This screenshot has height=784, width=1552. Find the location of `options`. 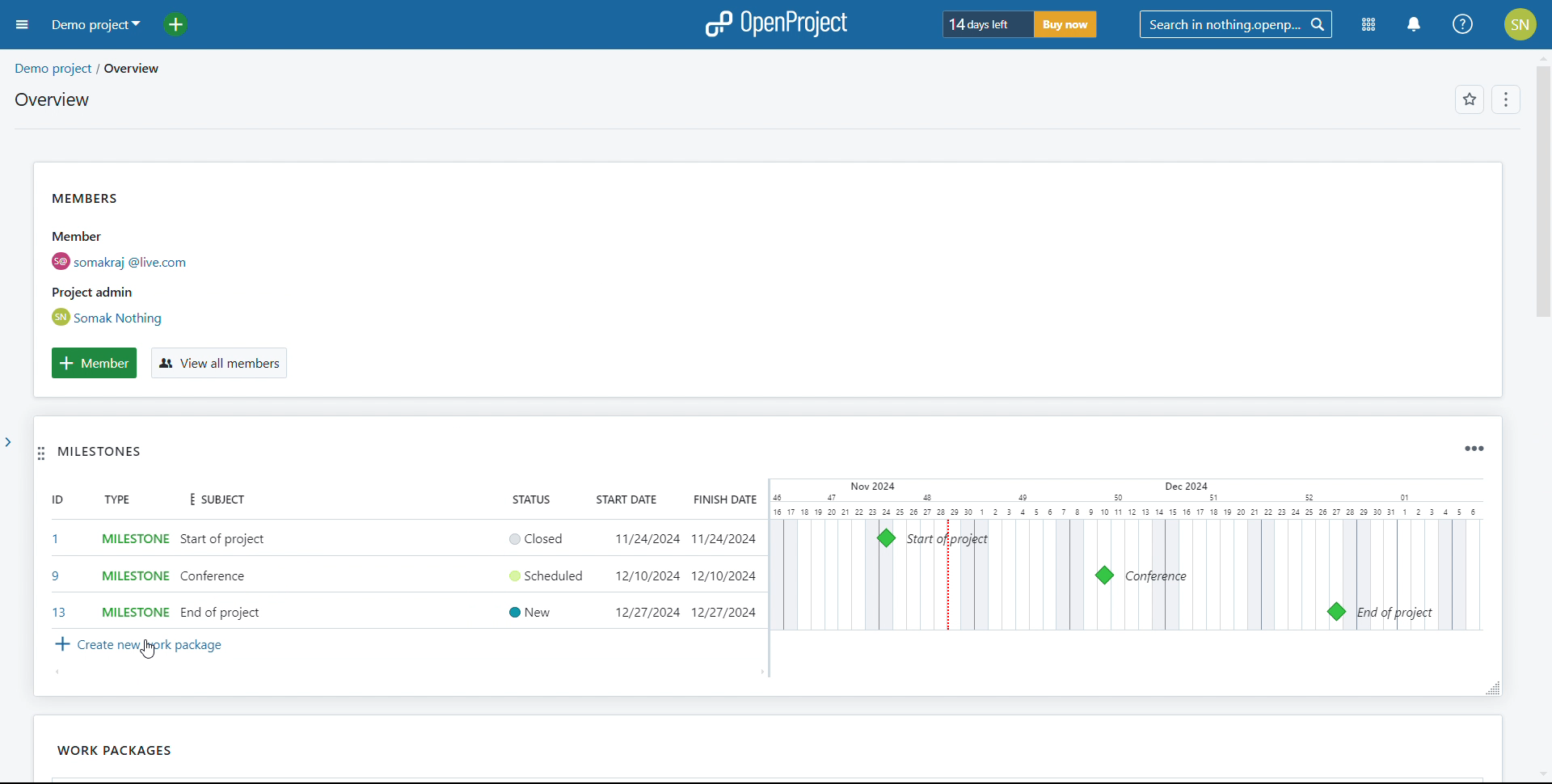

options is located at coordinates (1503, 101).